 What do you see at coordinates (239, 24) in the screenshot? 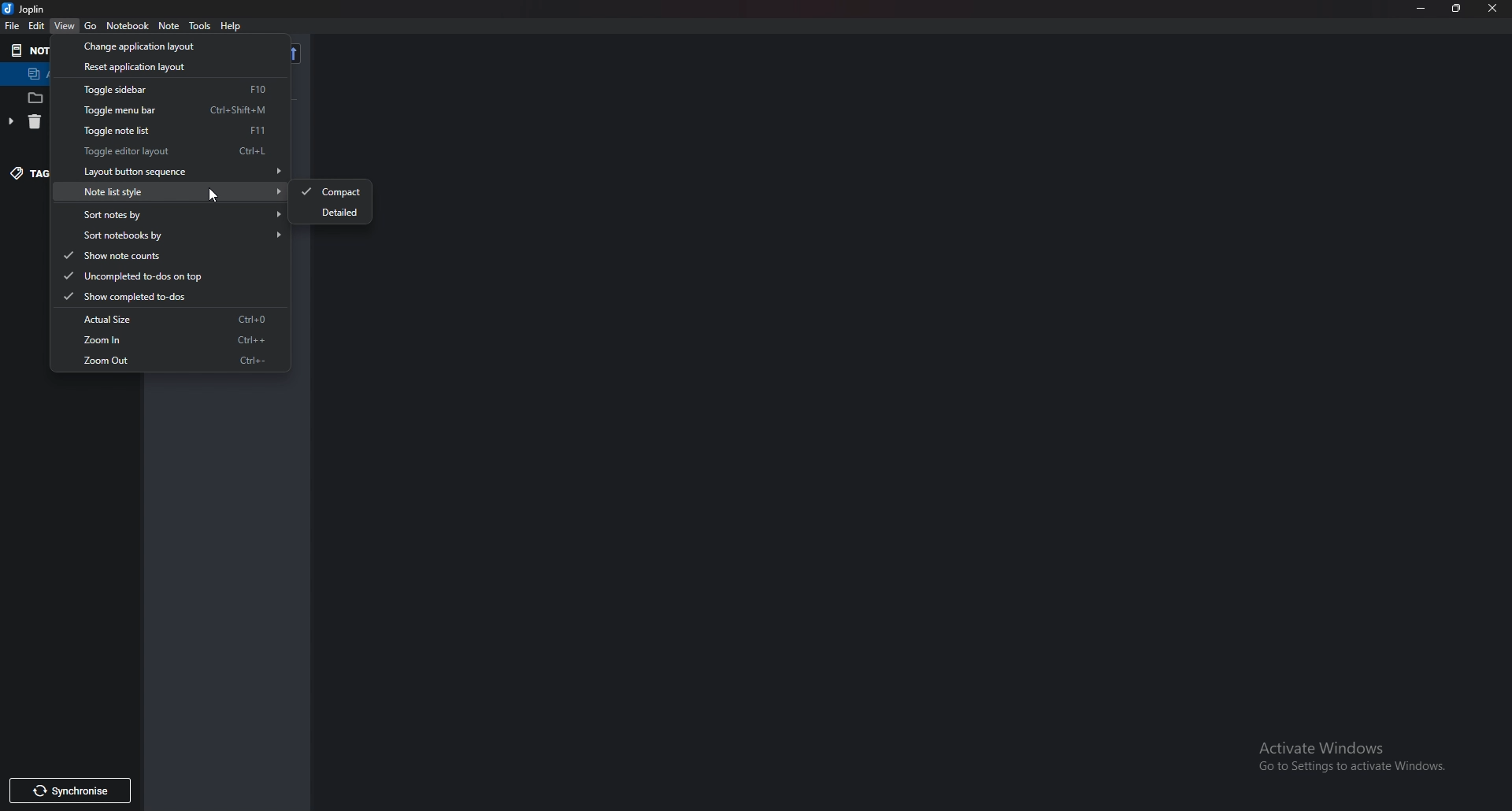
I see `help` at bounding box center [239, 24].